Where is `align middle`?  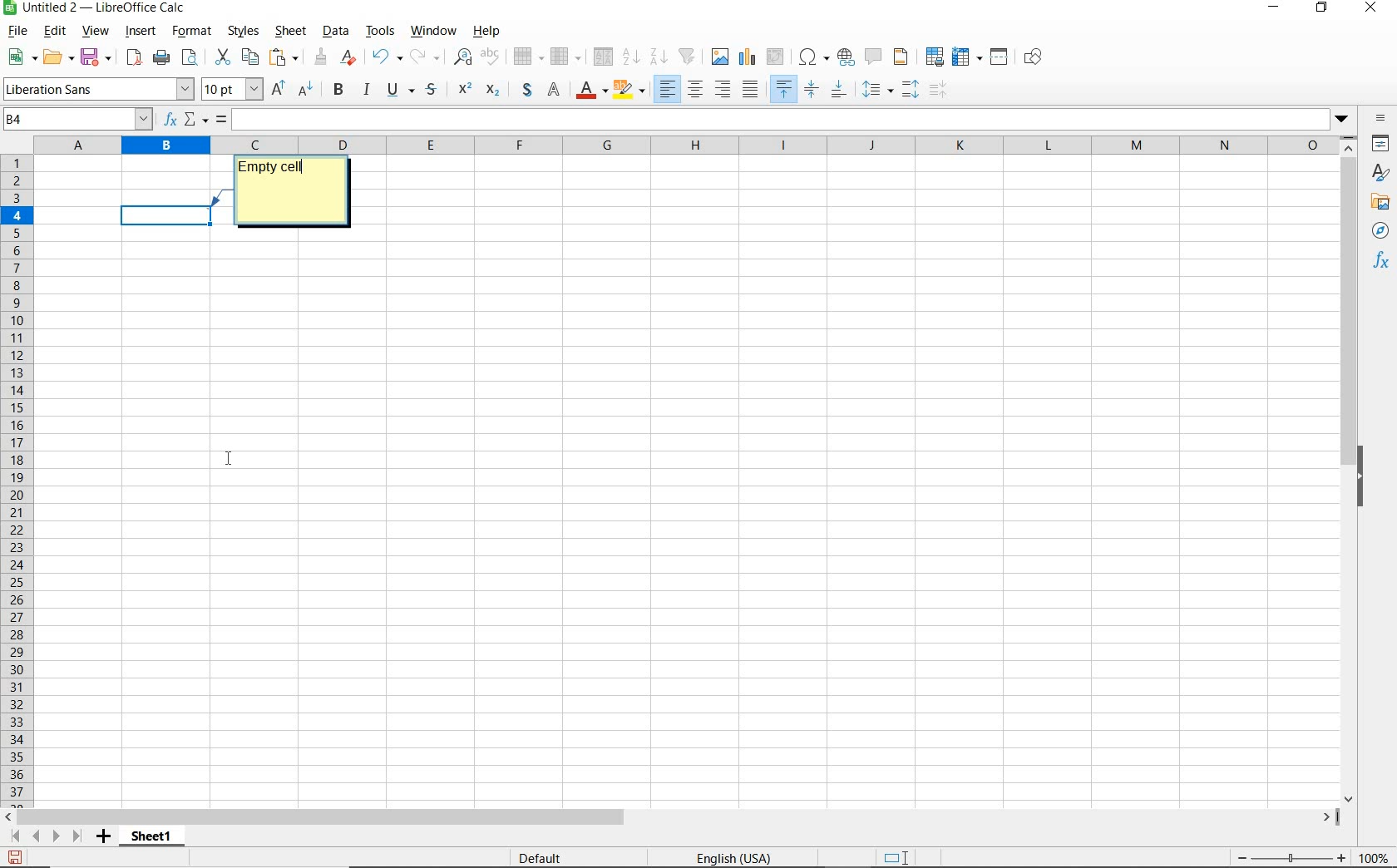
align middle is located at coordinates (751, 90).